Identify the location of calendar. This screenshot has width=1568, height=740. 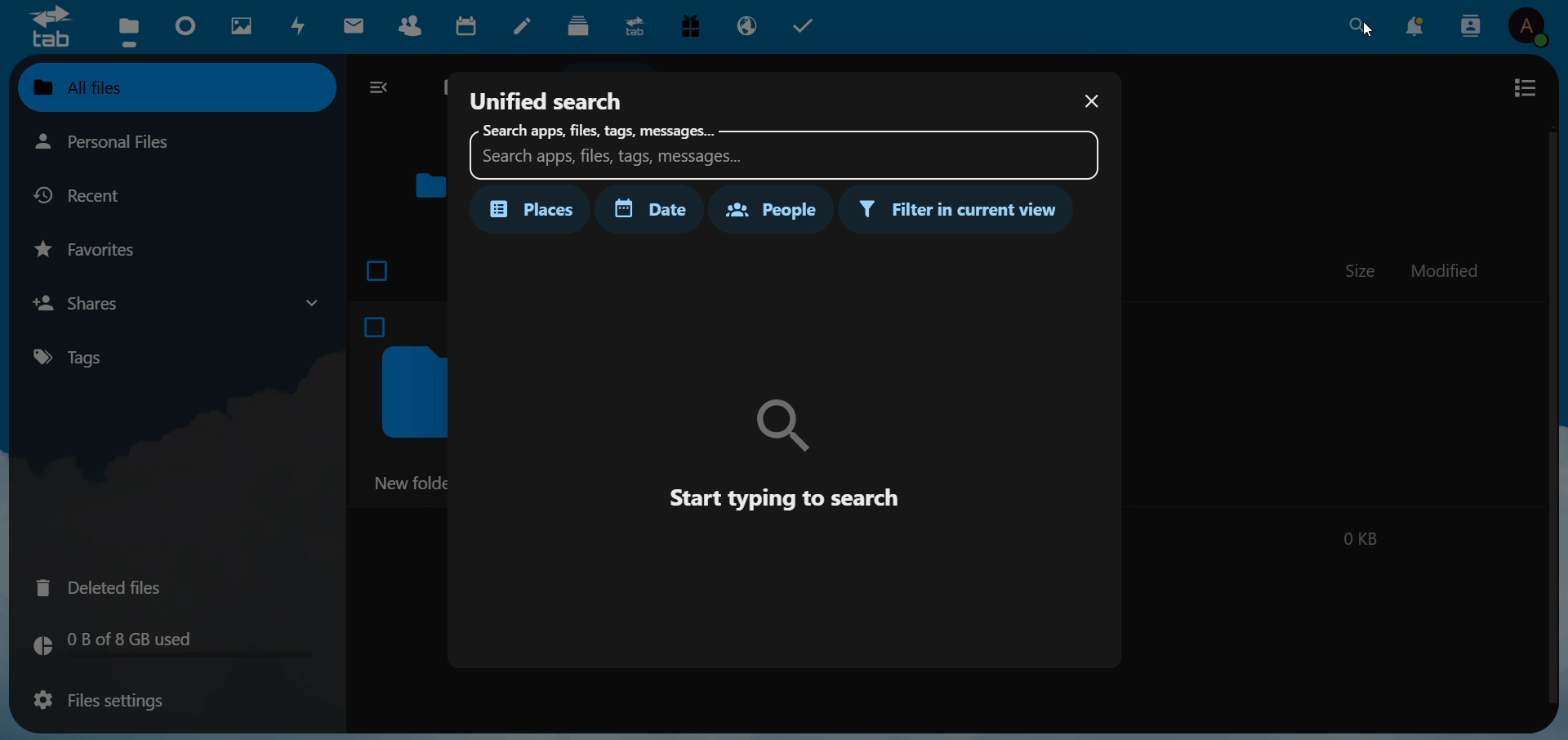
(470, 29).